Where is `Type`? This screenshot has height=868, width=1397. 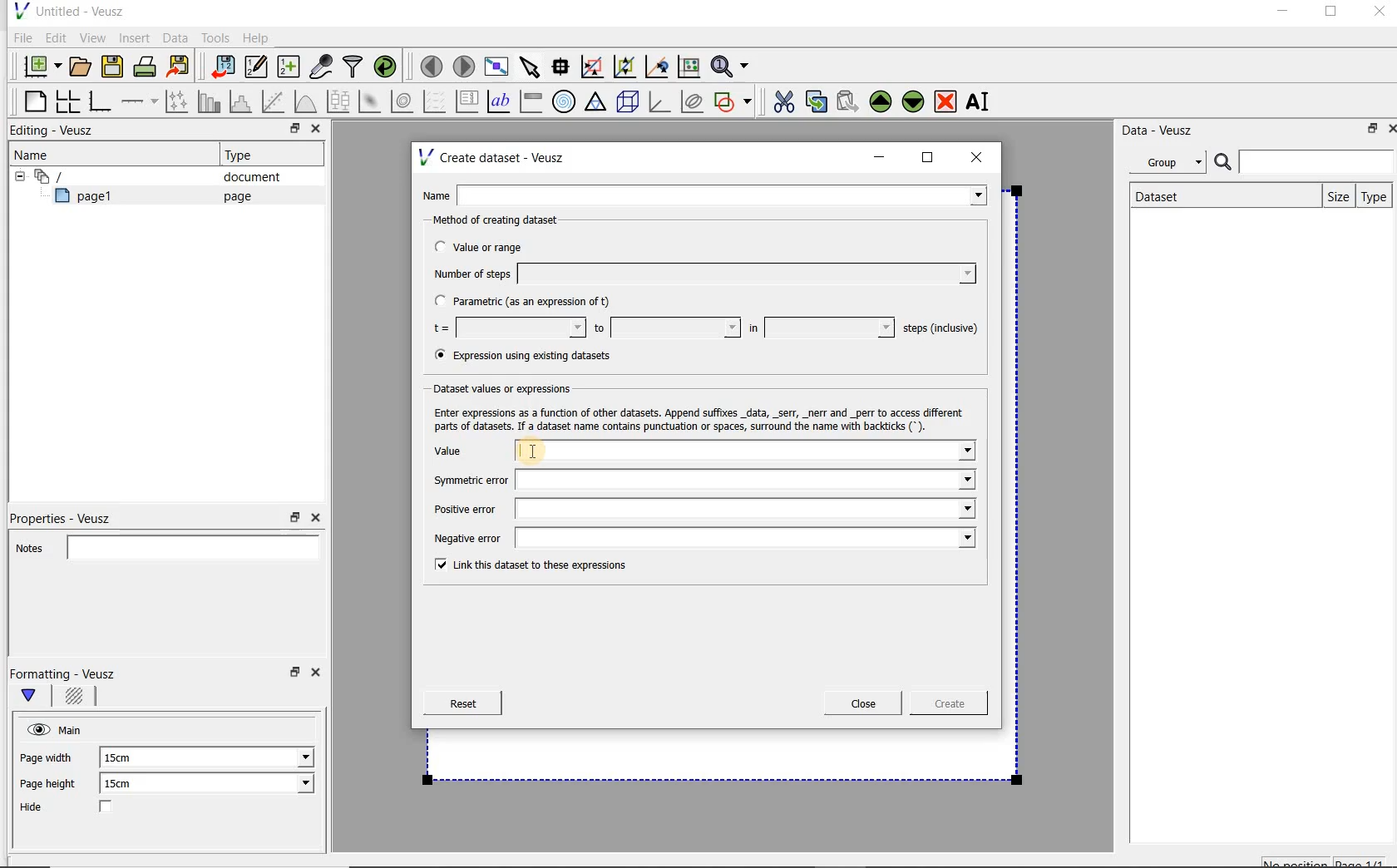
Type is located at coordinates (1375, 196).